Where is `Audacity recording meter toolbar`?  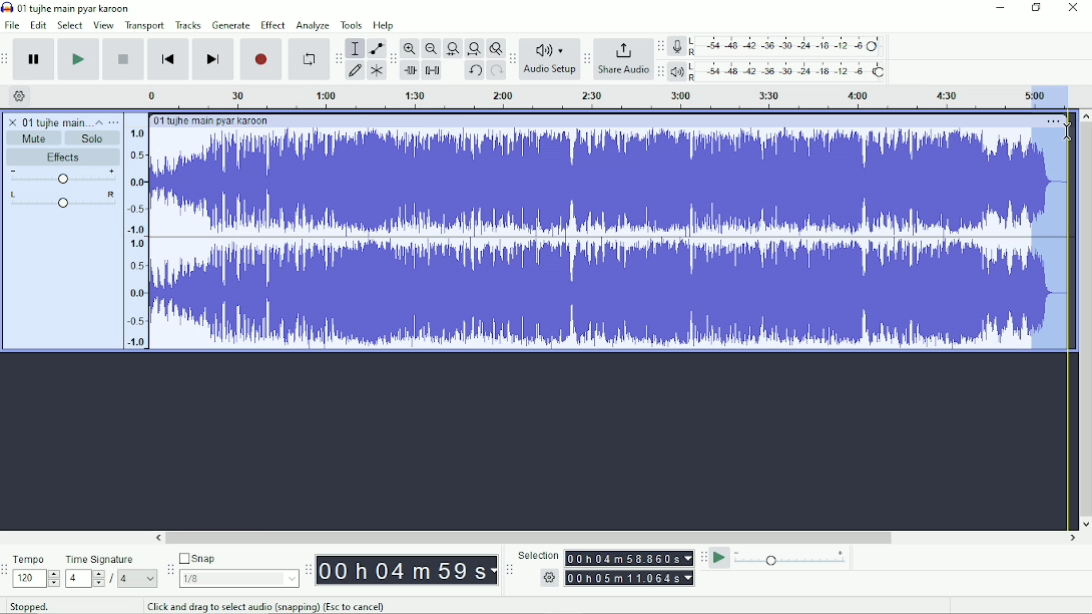 Audacity recording meter toolbar is located at coordinates (661, 47).